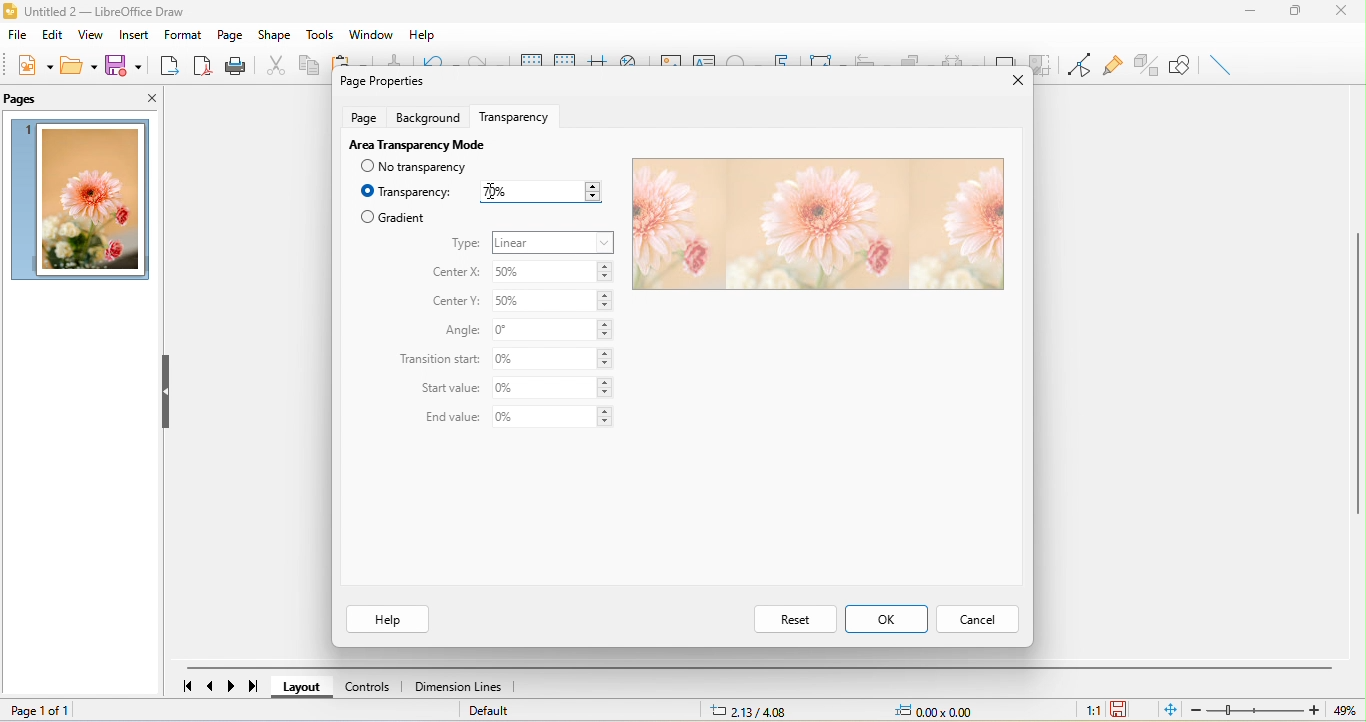  Describe the element at coordinates (199, 64) in the screenshot. I see `export directly as pdf` at that location.